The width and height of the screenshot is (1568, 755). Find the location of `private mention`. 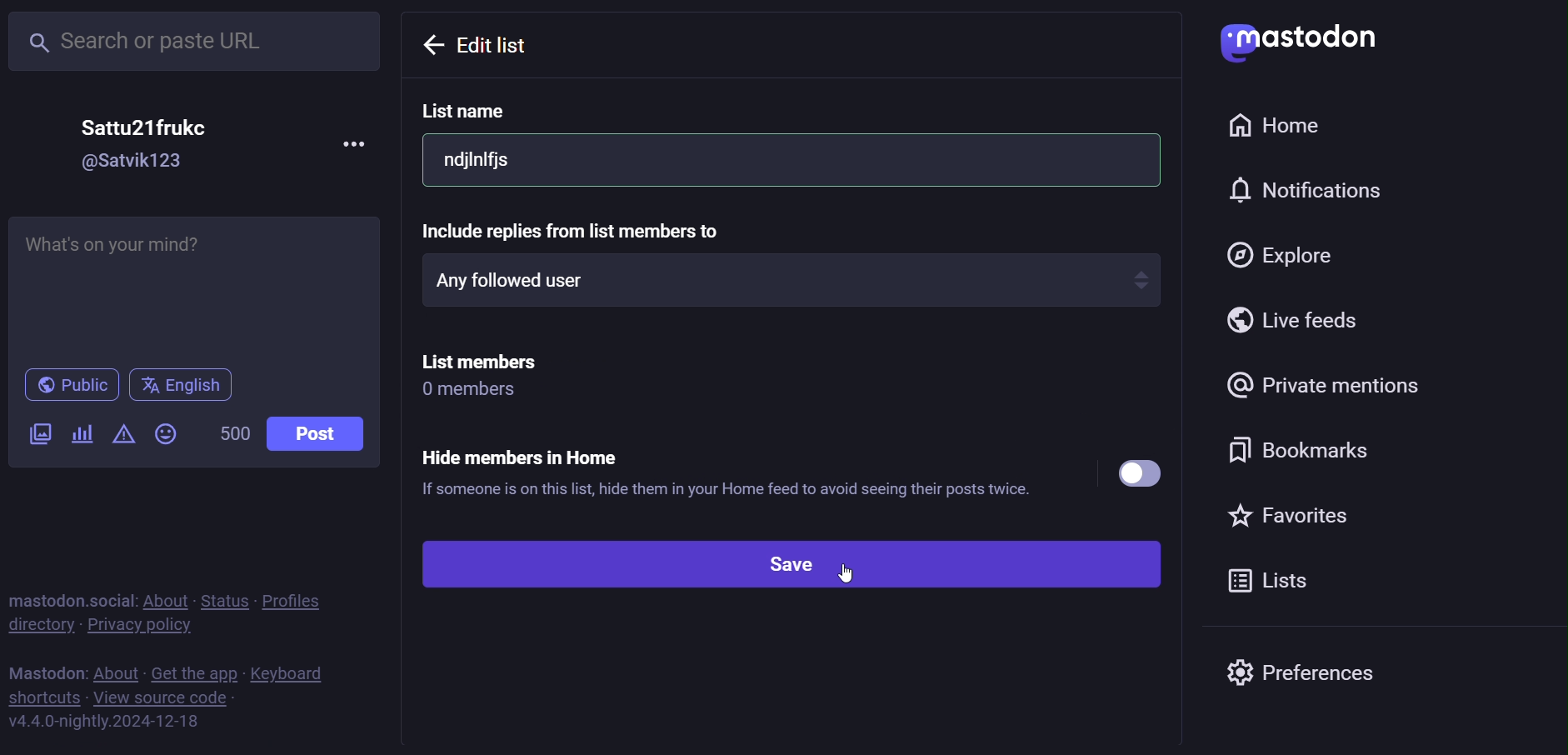

private mention is located at coordinates (1328, 387).